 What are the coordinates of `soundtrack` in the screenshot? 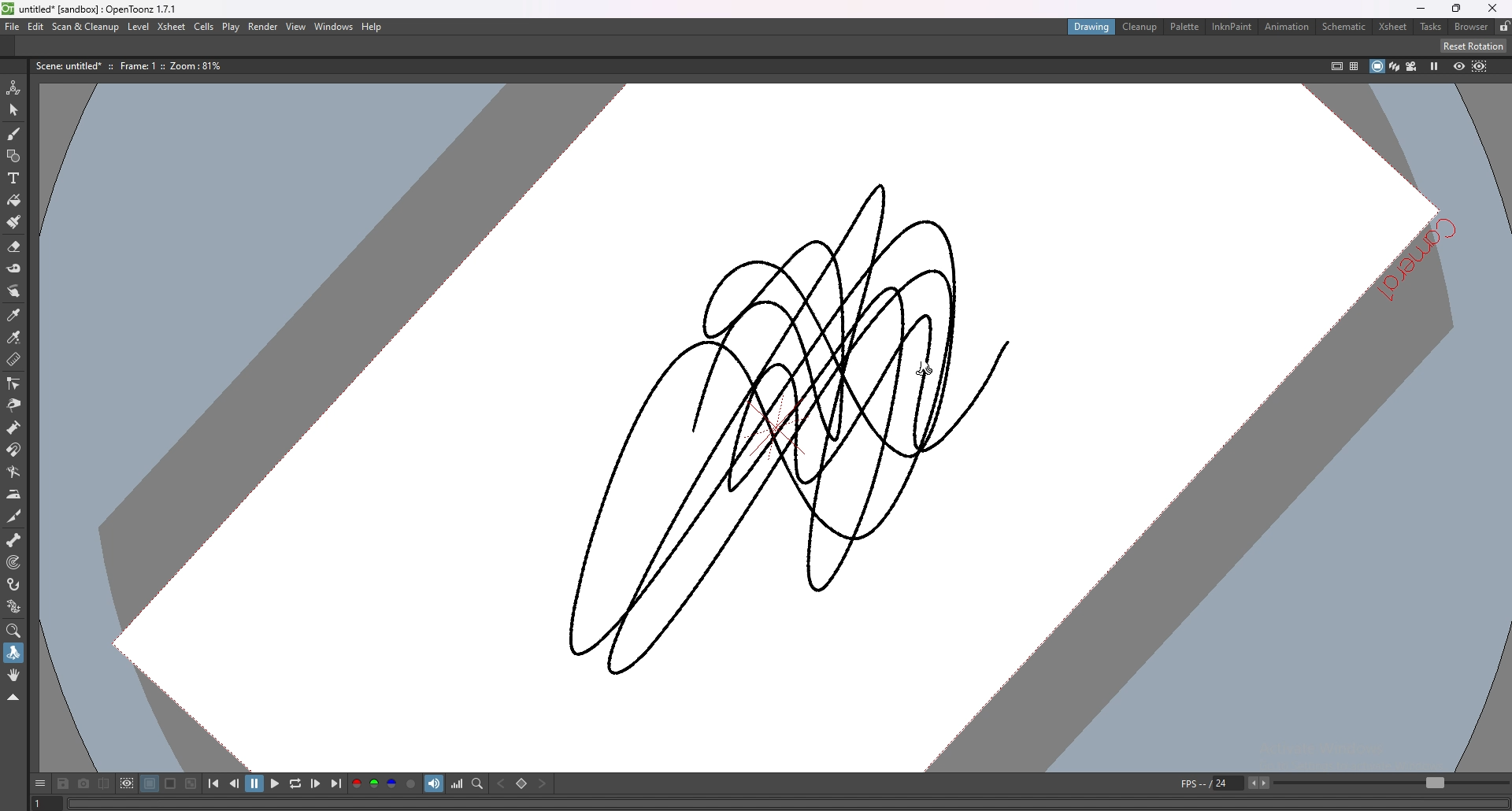 It's located at (434, 784).